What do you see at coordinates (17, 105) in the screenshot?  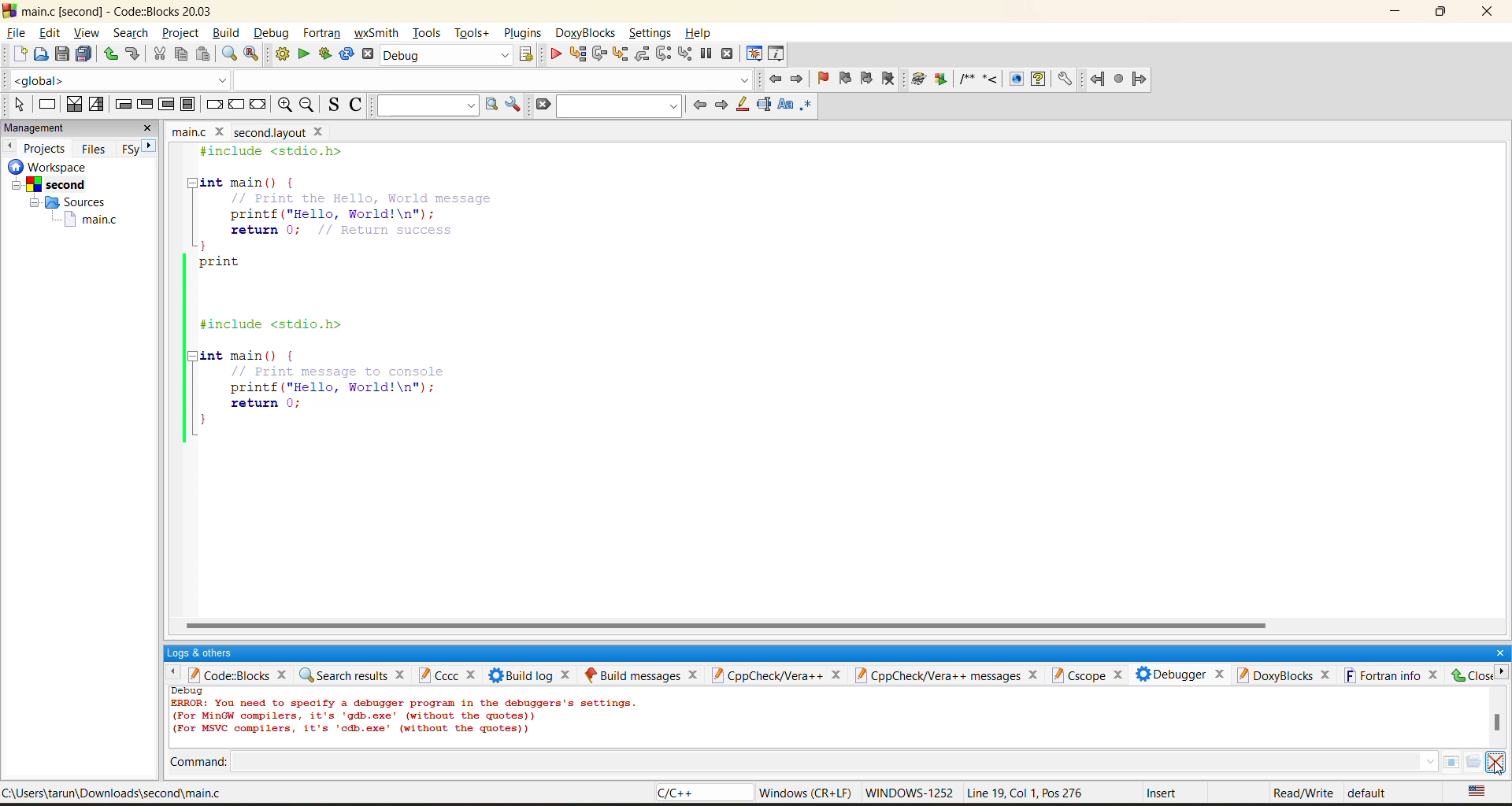 I see `select` at bounding box center [17, 105].